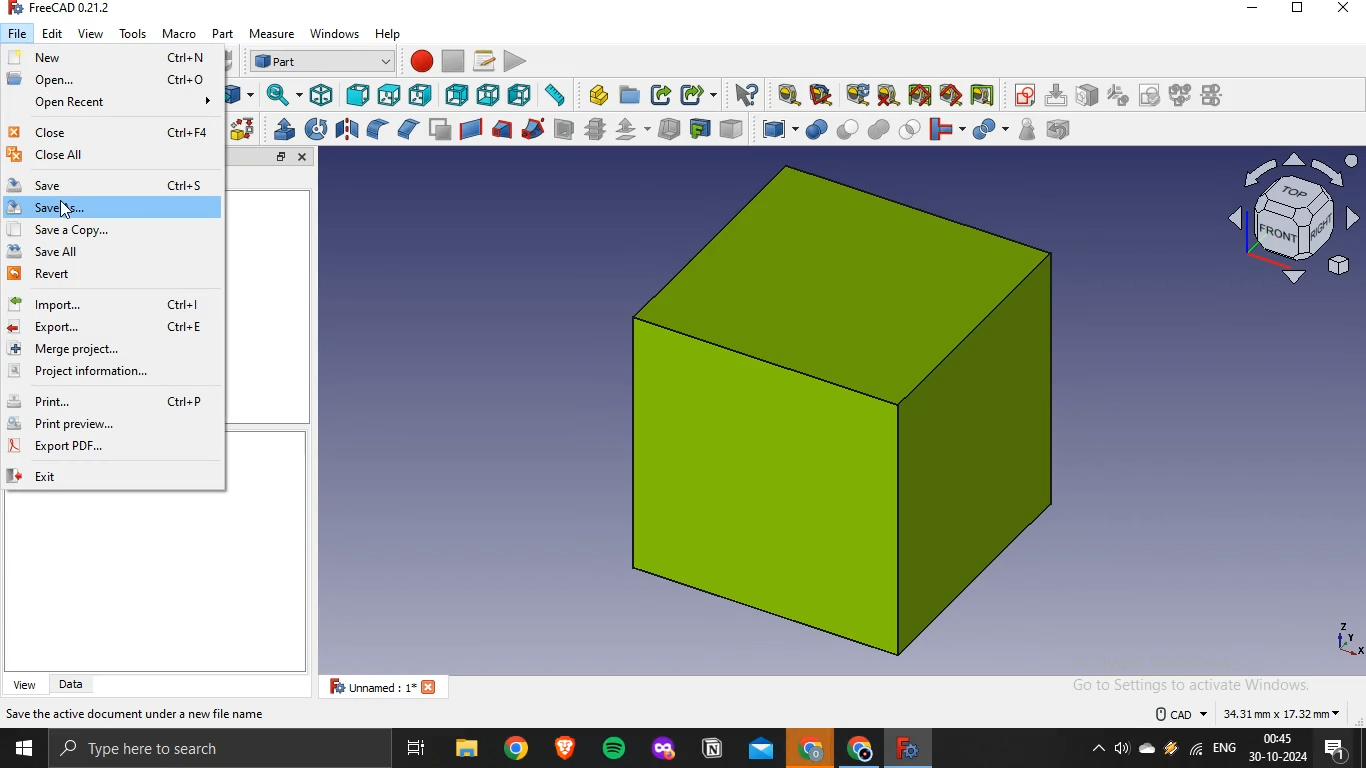 The width and height of the screenshot is (1366, 768). I want to click on notifications, so click(1336, 749).